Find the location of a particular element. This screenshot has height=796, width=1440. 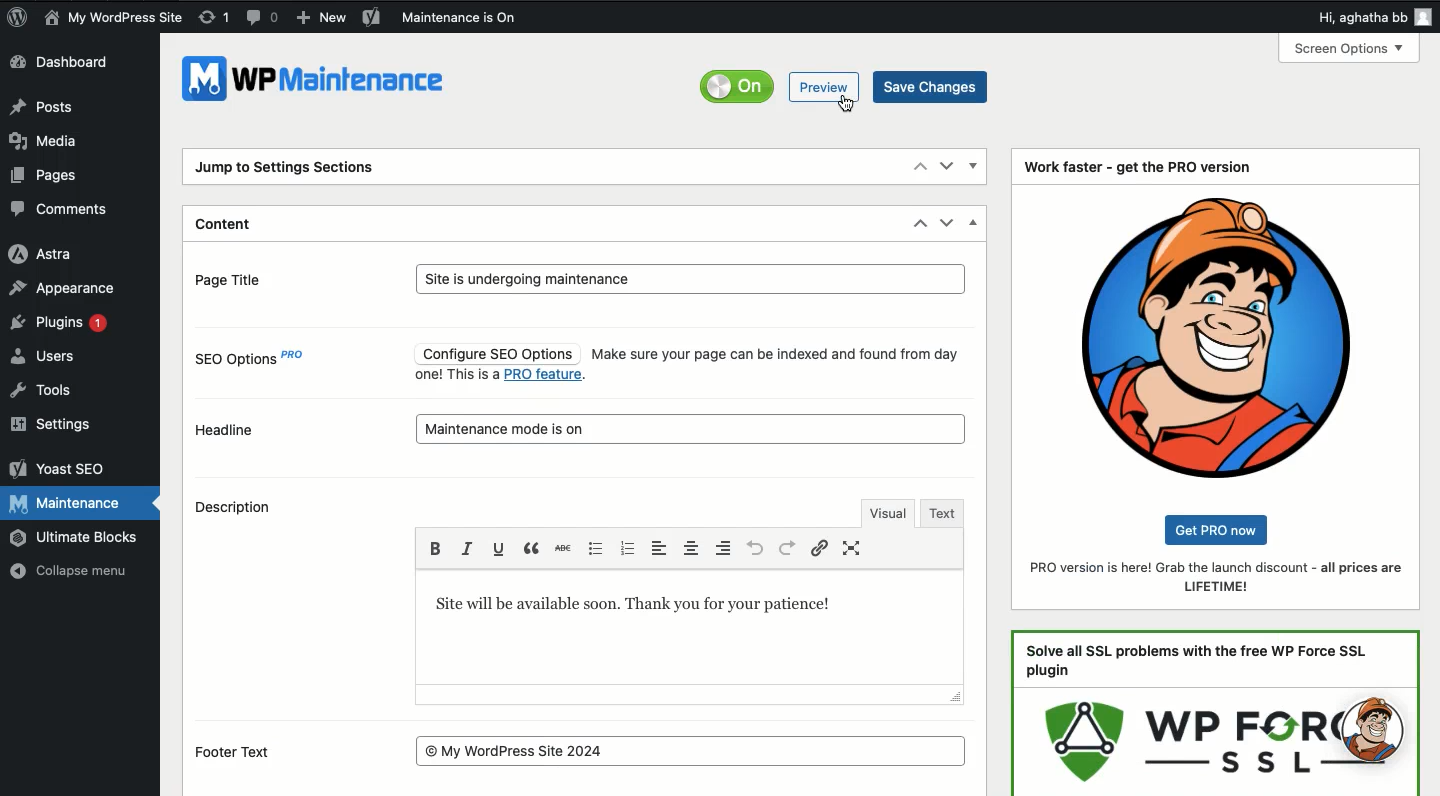

Visual is located at coordinates (886, 511).